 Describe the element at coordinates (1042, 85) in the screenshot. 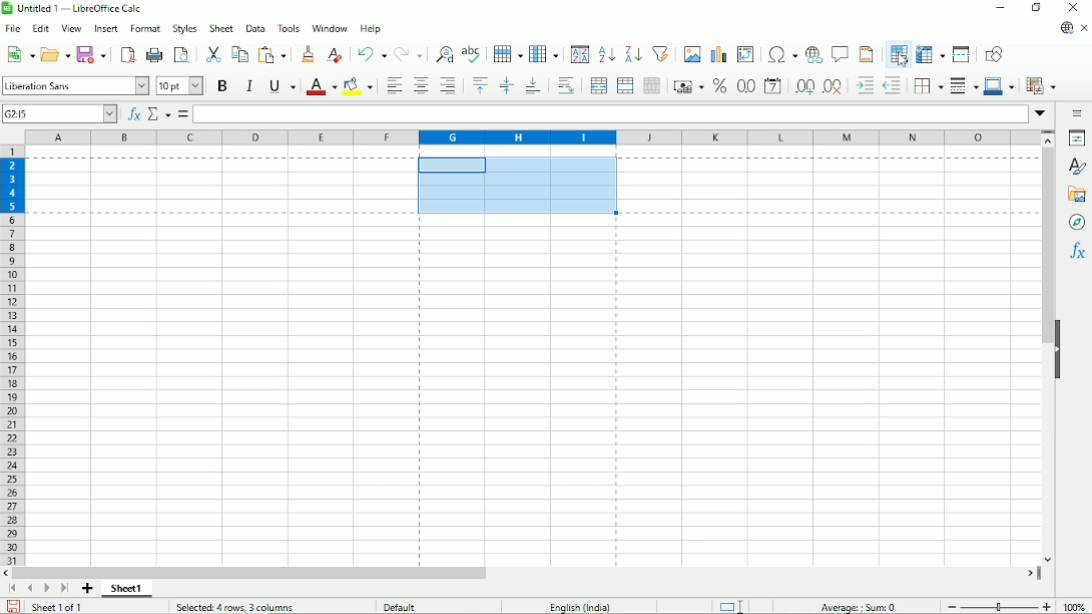

I see `Conditional` at that location.